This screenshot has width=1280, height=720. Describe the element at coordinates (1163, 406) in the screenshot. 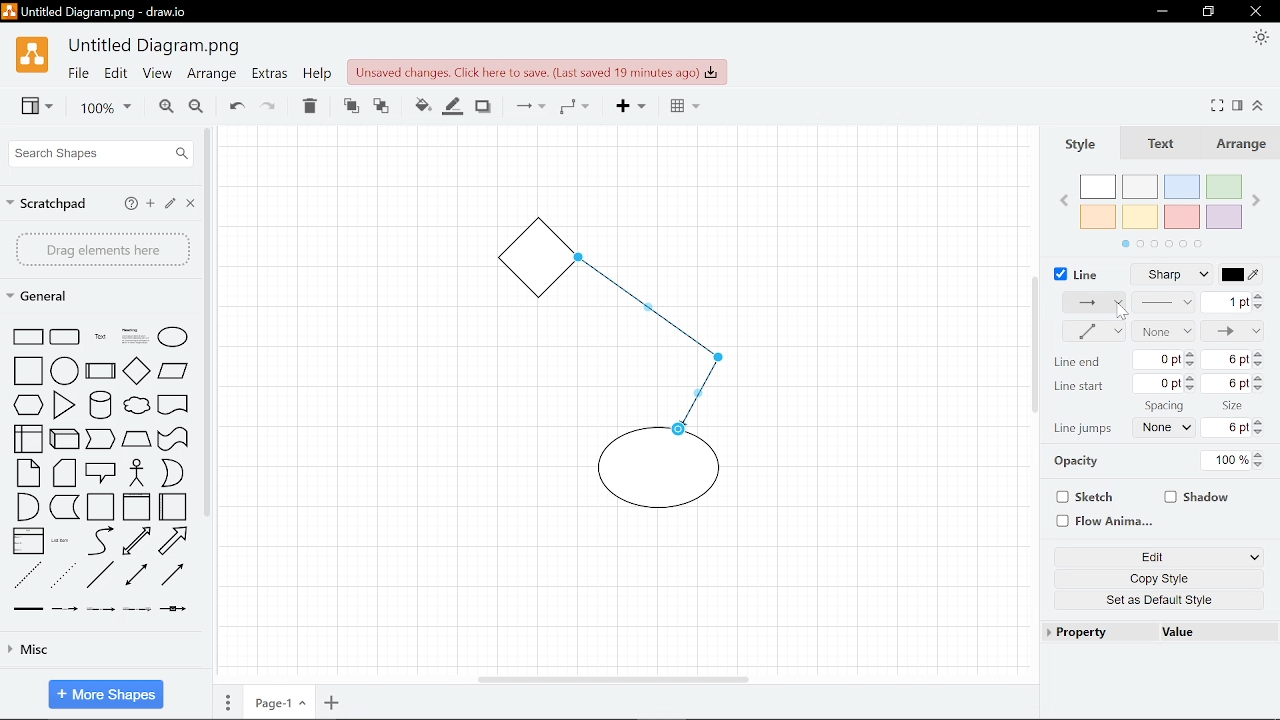

I see `space` at that location.